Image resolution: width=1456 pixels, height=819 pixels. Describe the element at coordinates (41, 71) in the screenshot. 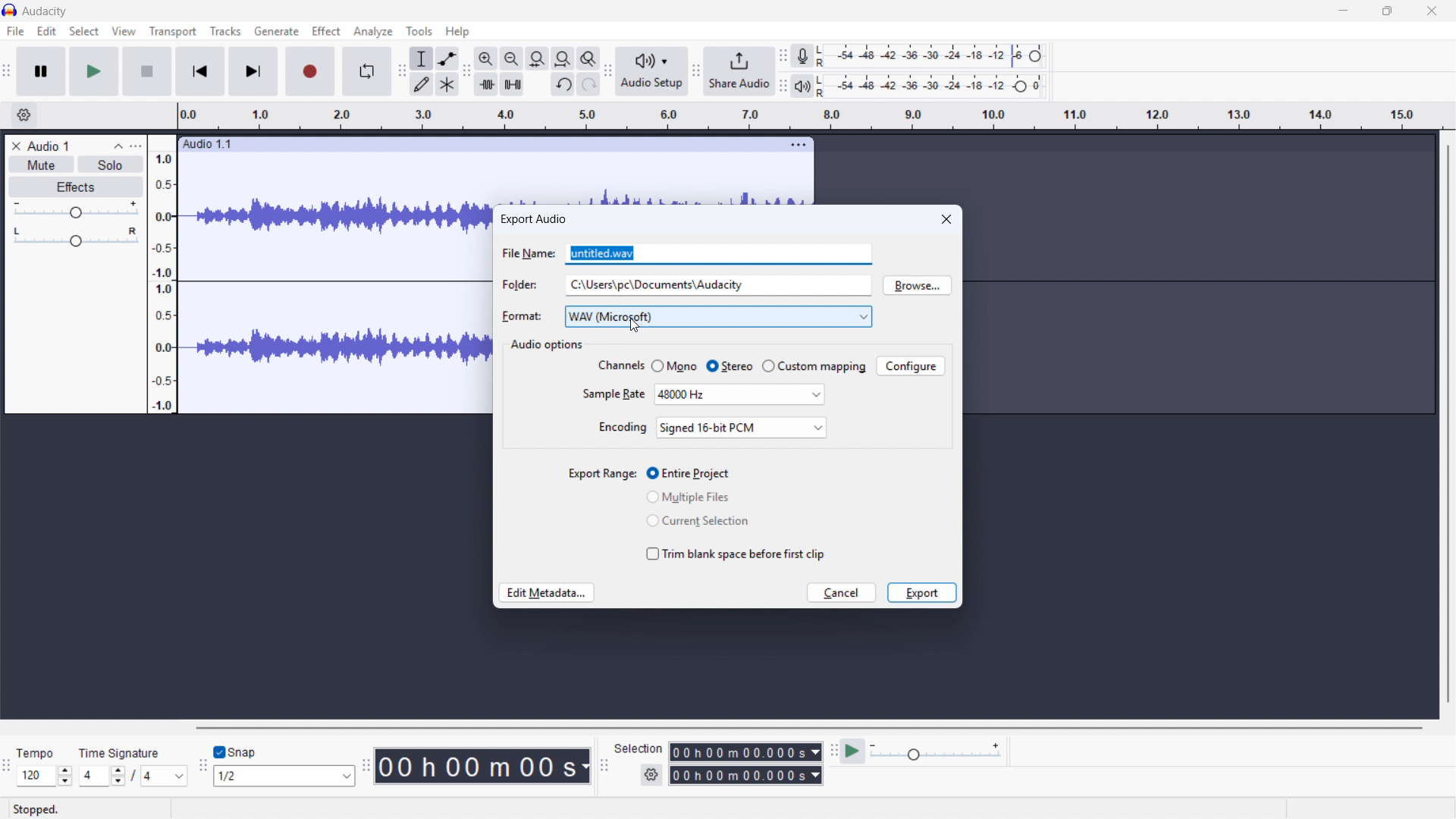

I see `Pause` at that location.